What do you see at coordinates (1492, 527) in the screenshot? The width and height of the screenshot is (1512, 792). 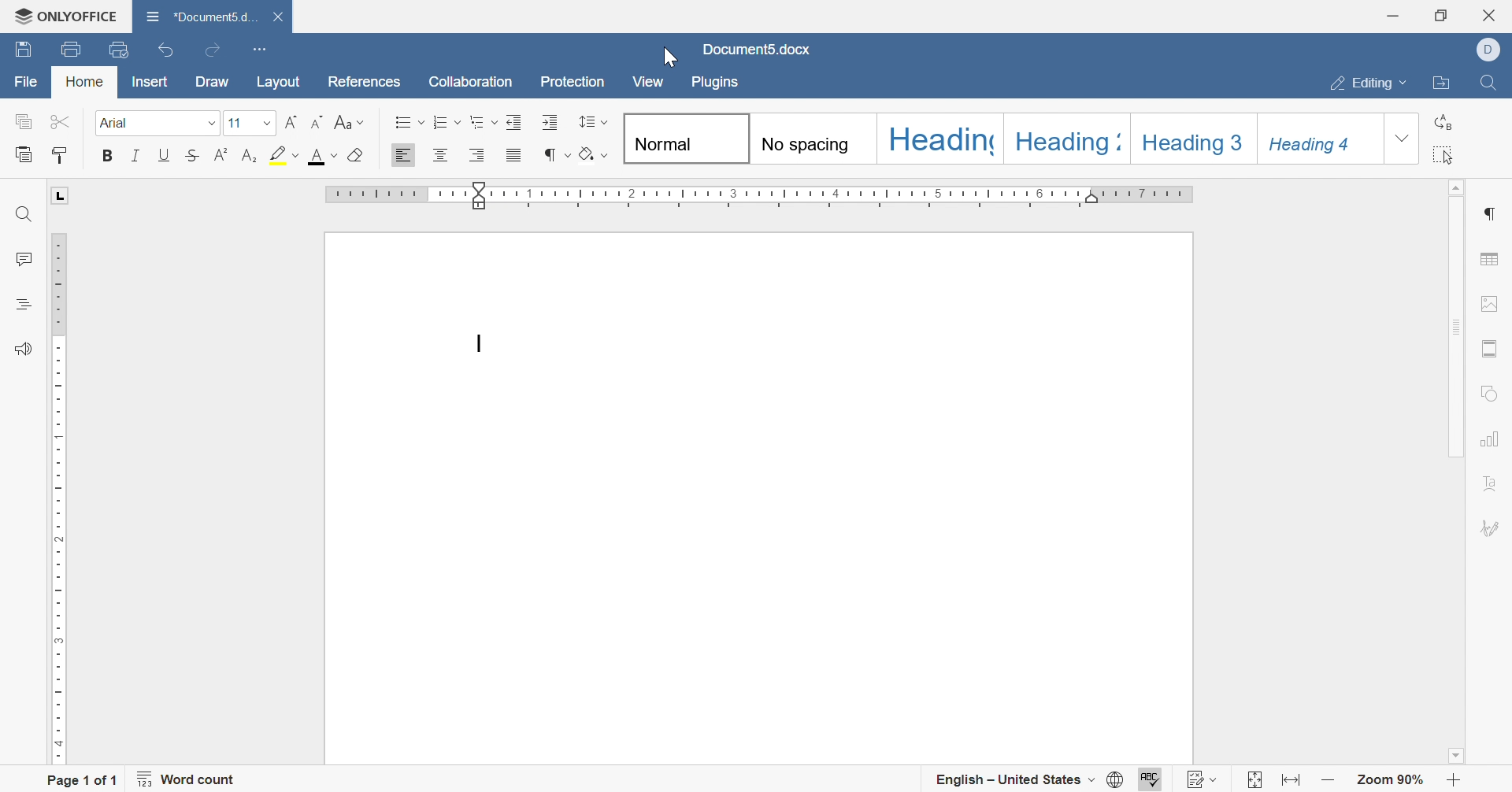 I see `signature settings` at bounding box center [1492, 527].